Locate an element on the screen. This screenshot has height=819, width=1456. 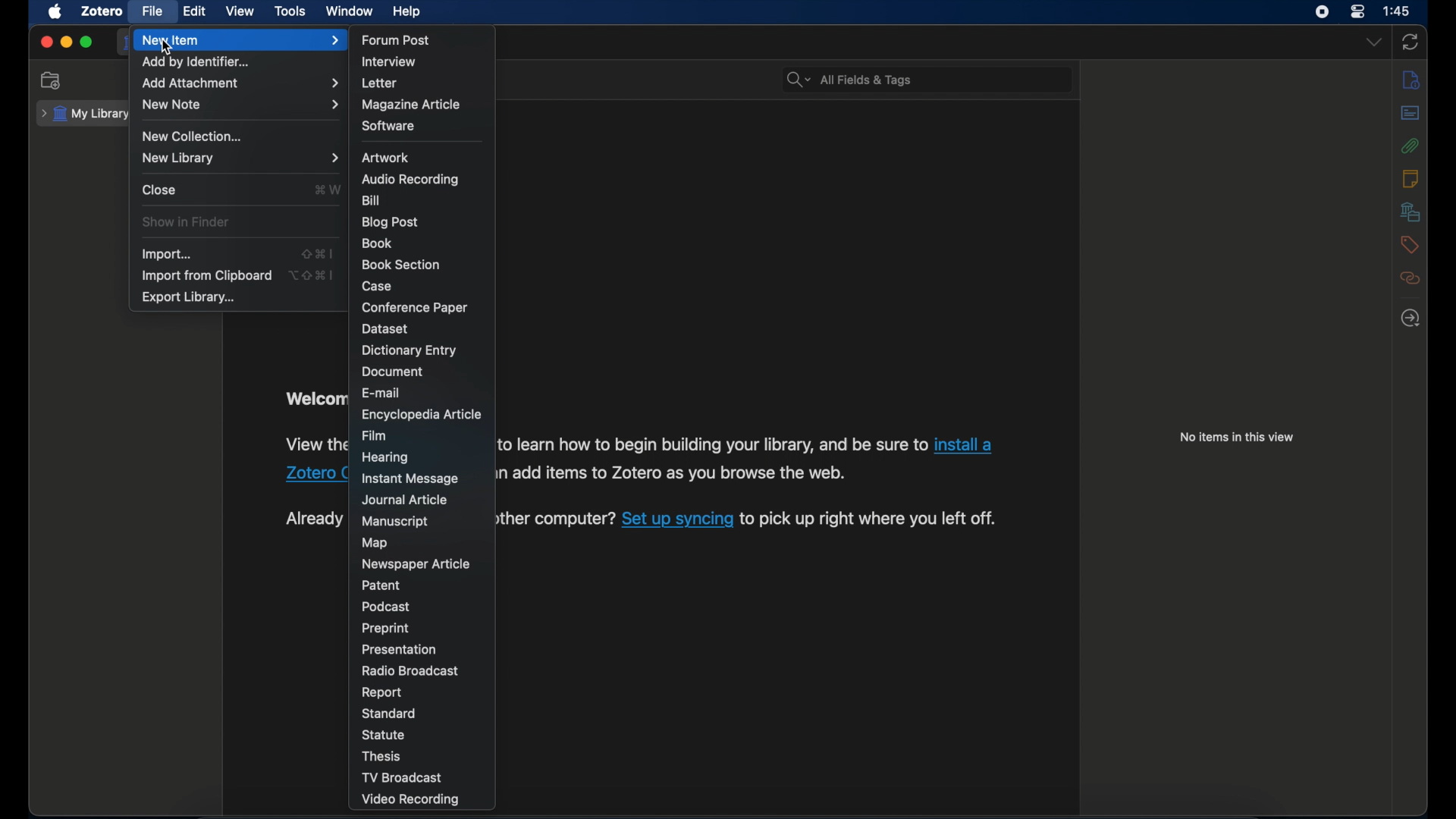
presentation is located at coordinates (400, 649).